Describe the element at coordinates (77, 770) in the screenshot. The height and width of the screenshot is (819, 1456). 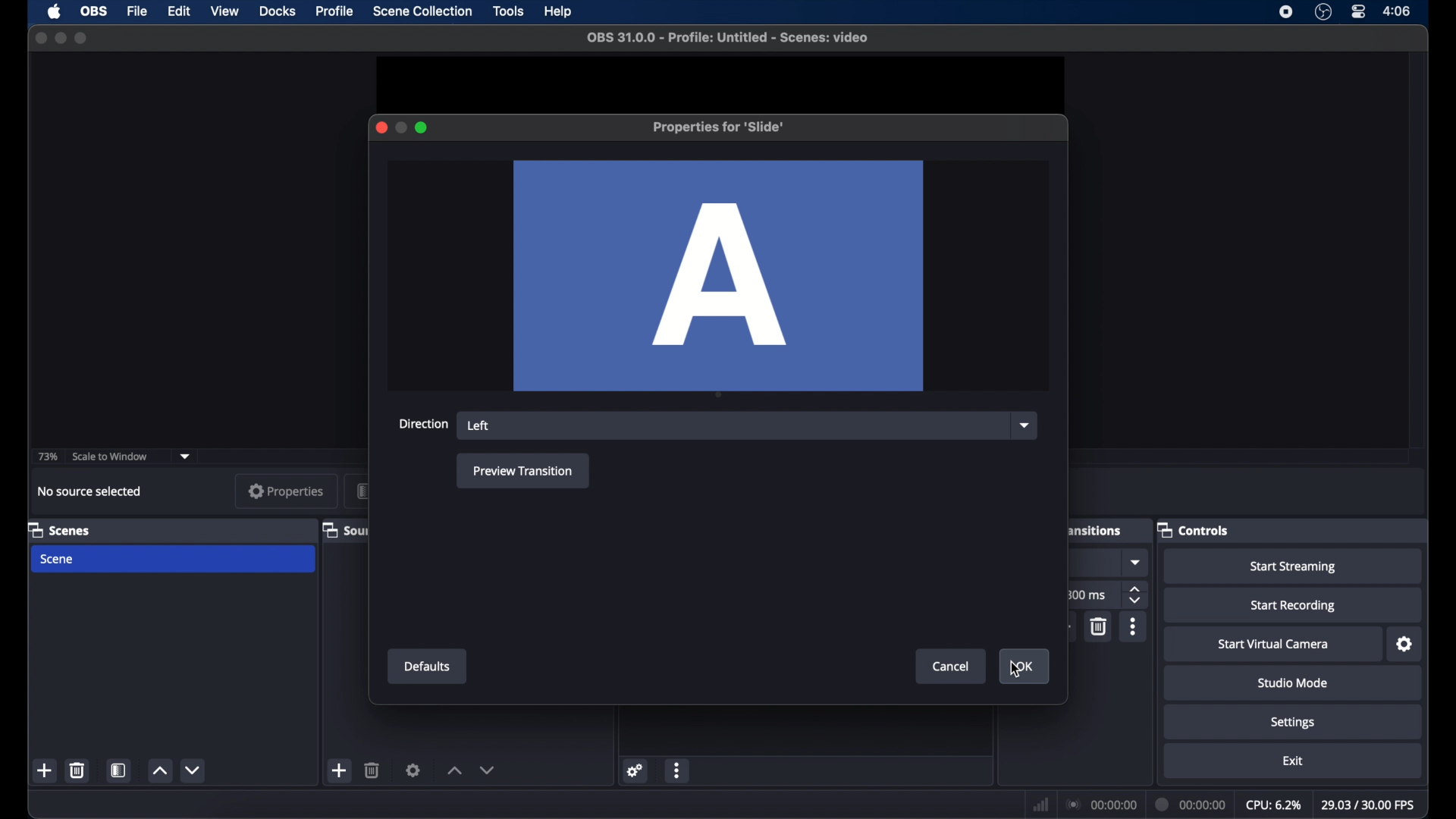
I see `delete` at that location.